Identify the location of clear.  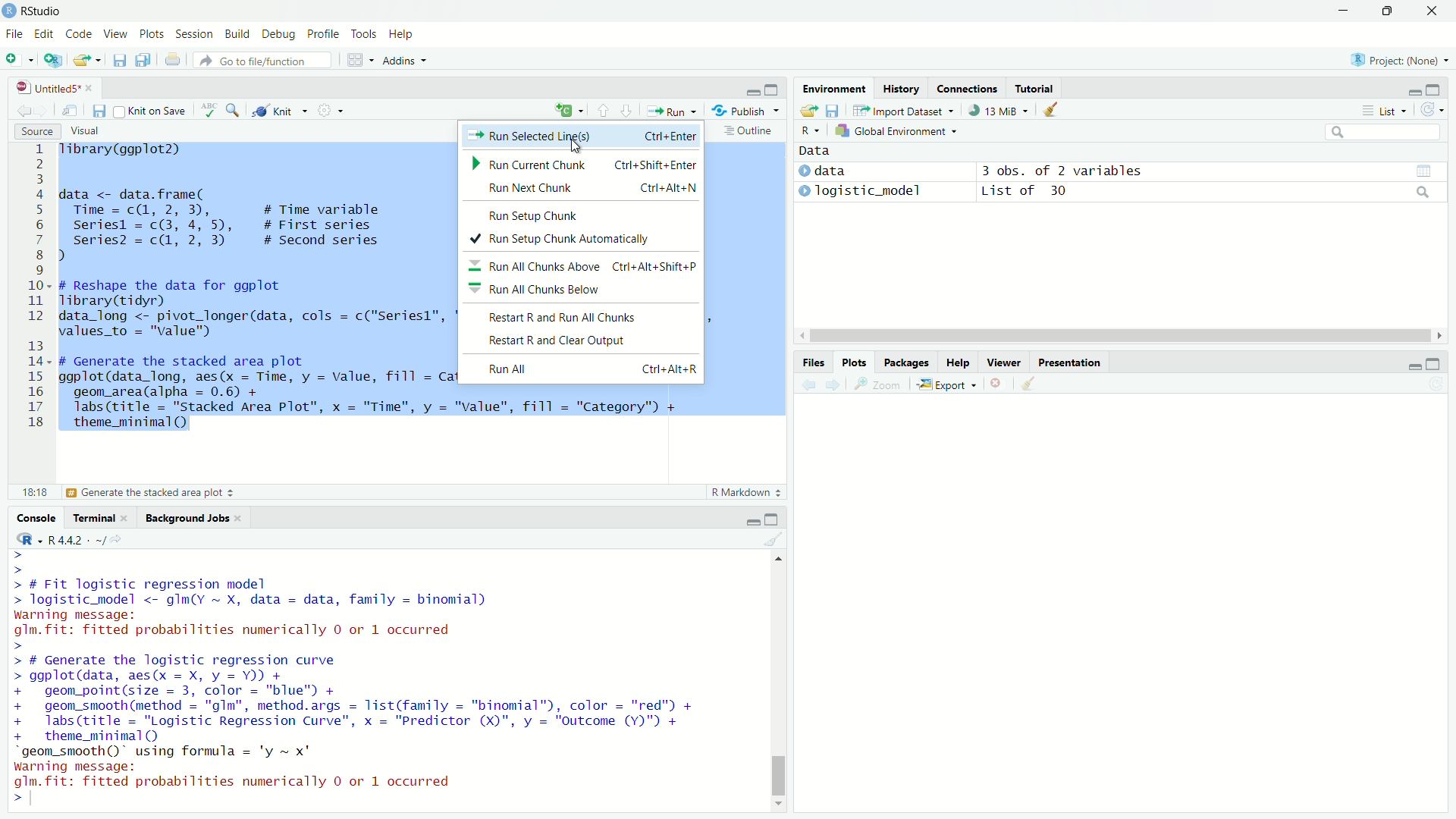
(774, 541).